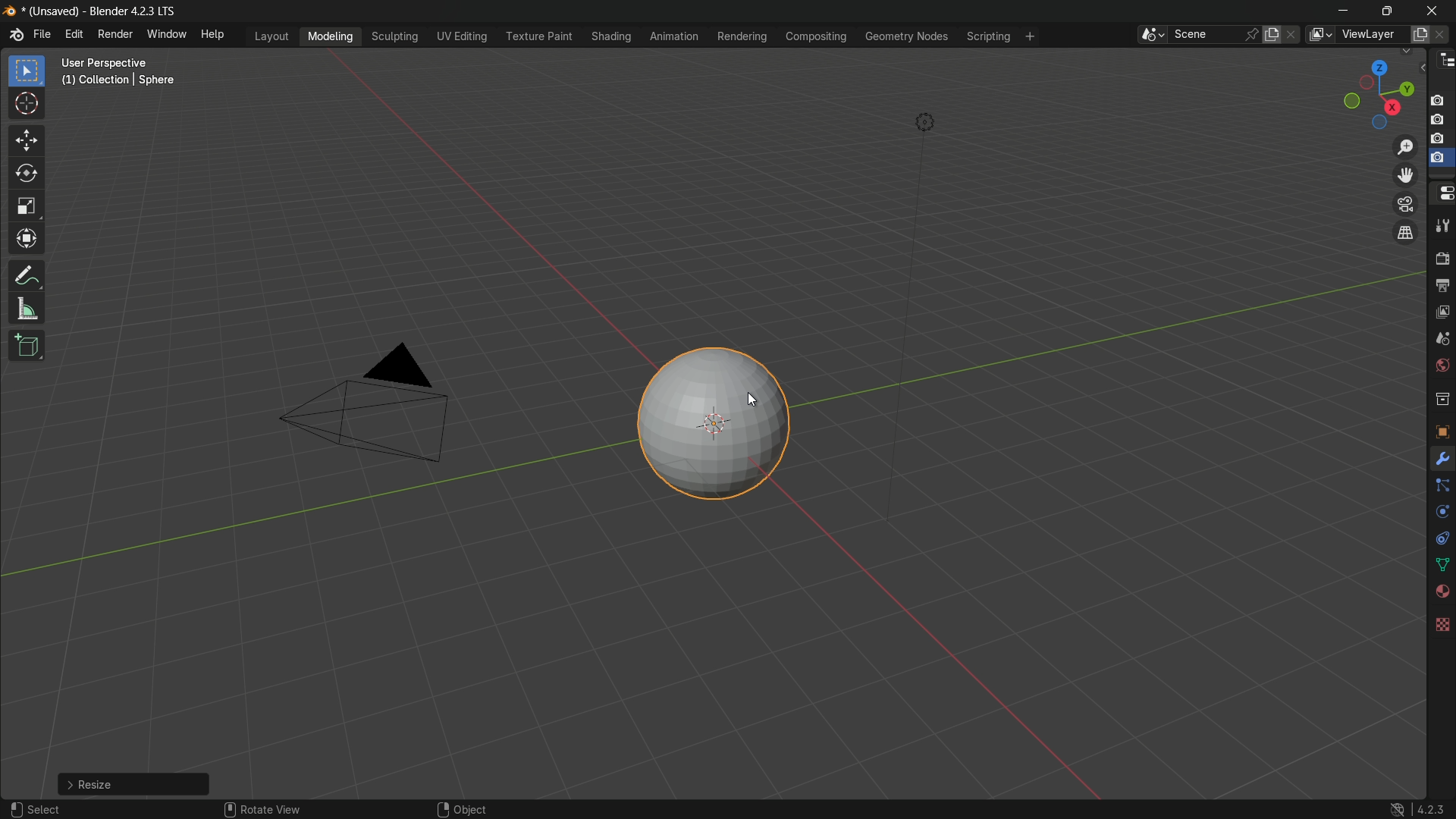 This screenshot has width=1456, height=819. I want to click on add cube, so click(27, 344).